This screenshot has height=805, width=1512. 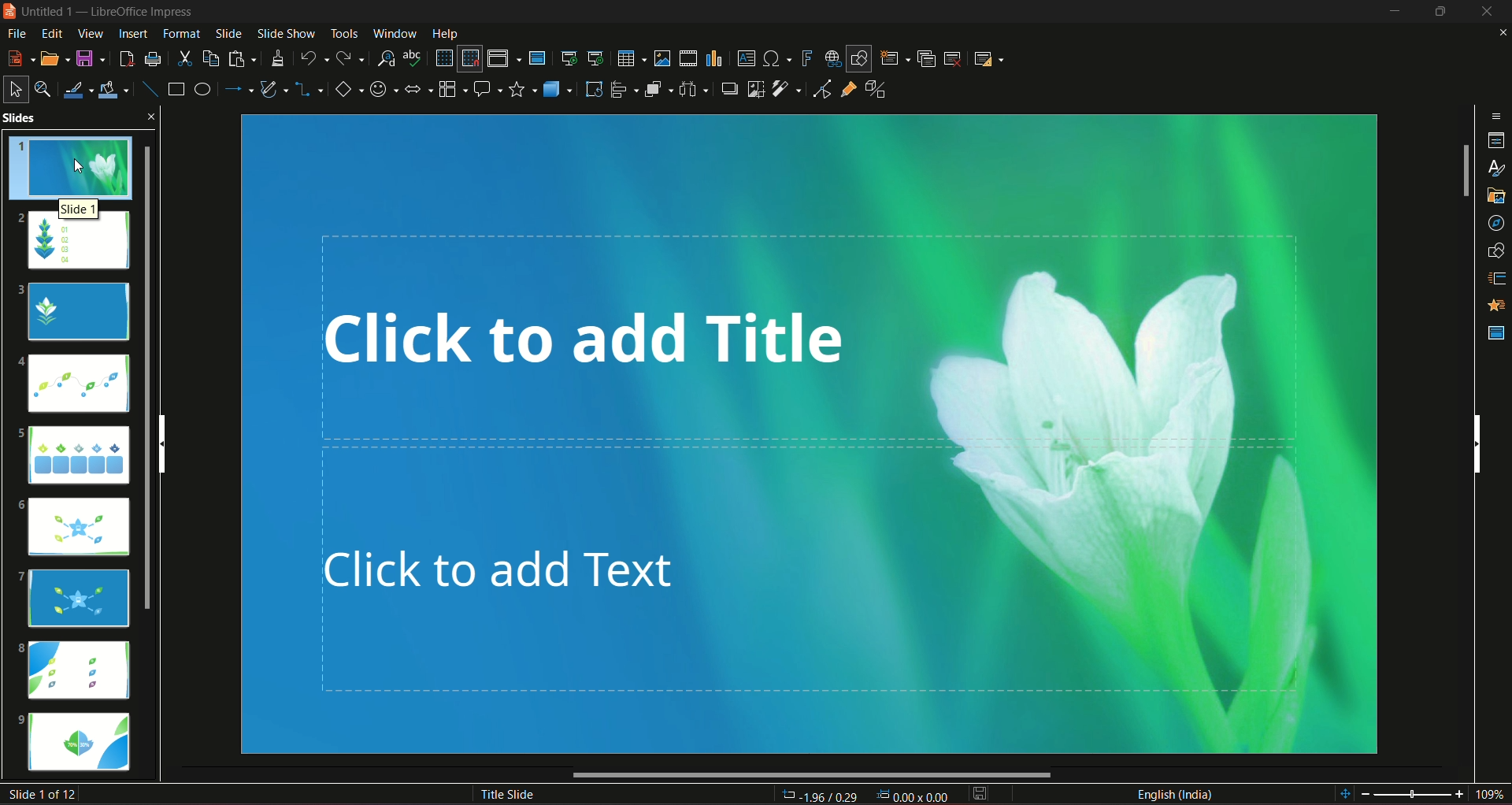 What do you see at coordinates (1494, 251) in the screenshot?
I see `shapes` at bounding box center [1494, 251].